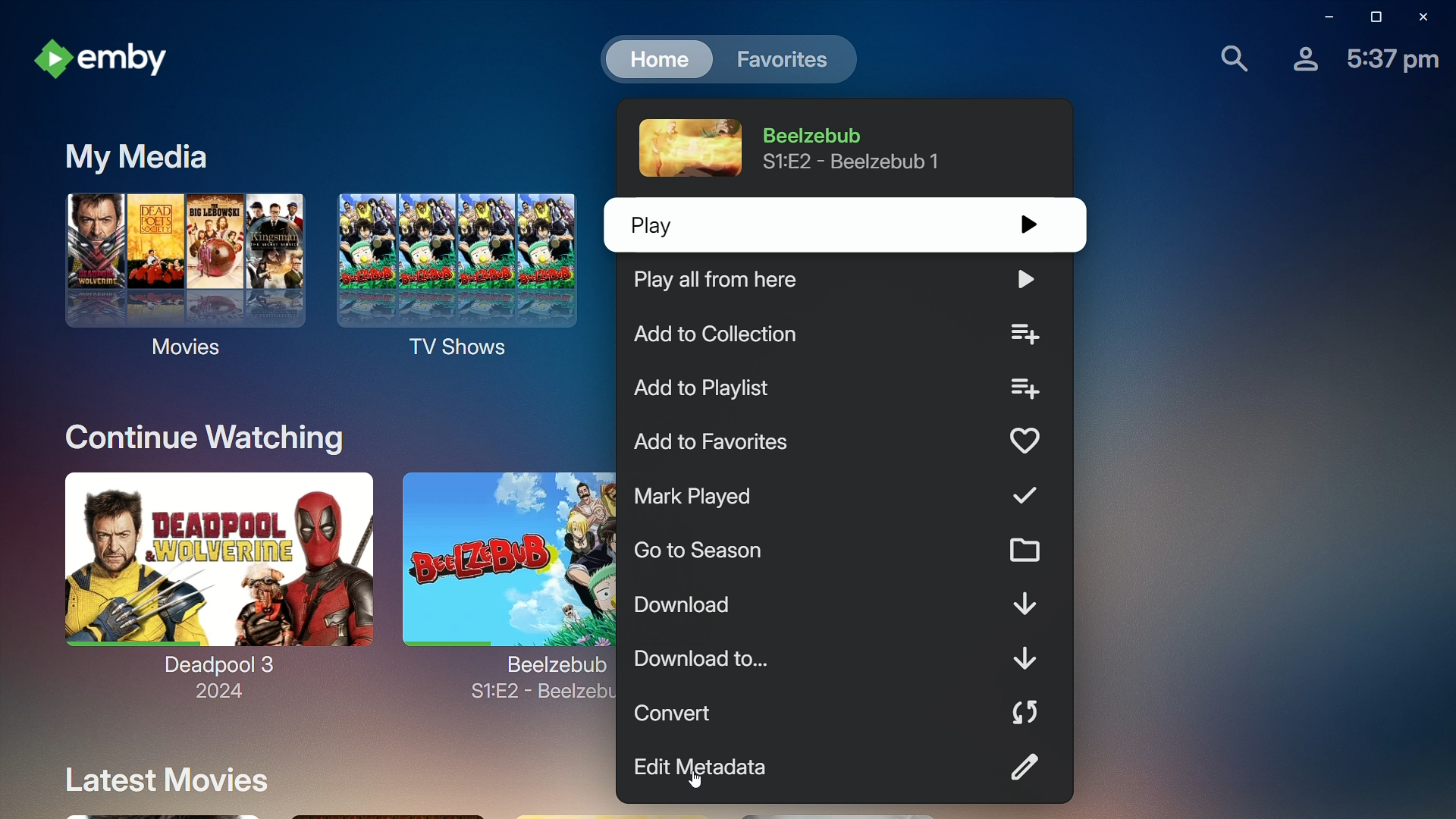  I want to click on Time-5.37 pm, so click(1395, 62).